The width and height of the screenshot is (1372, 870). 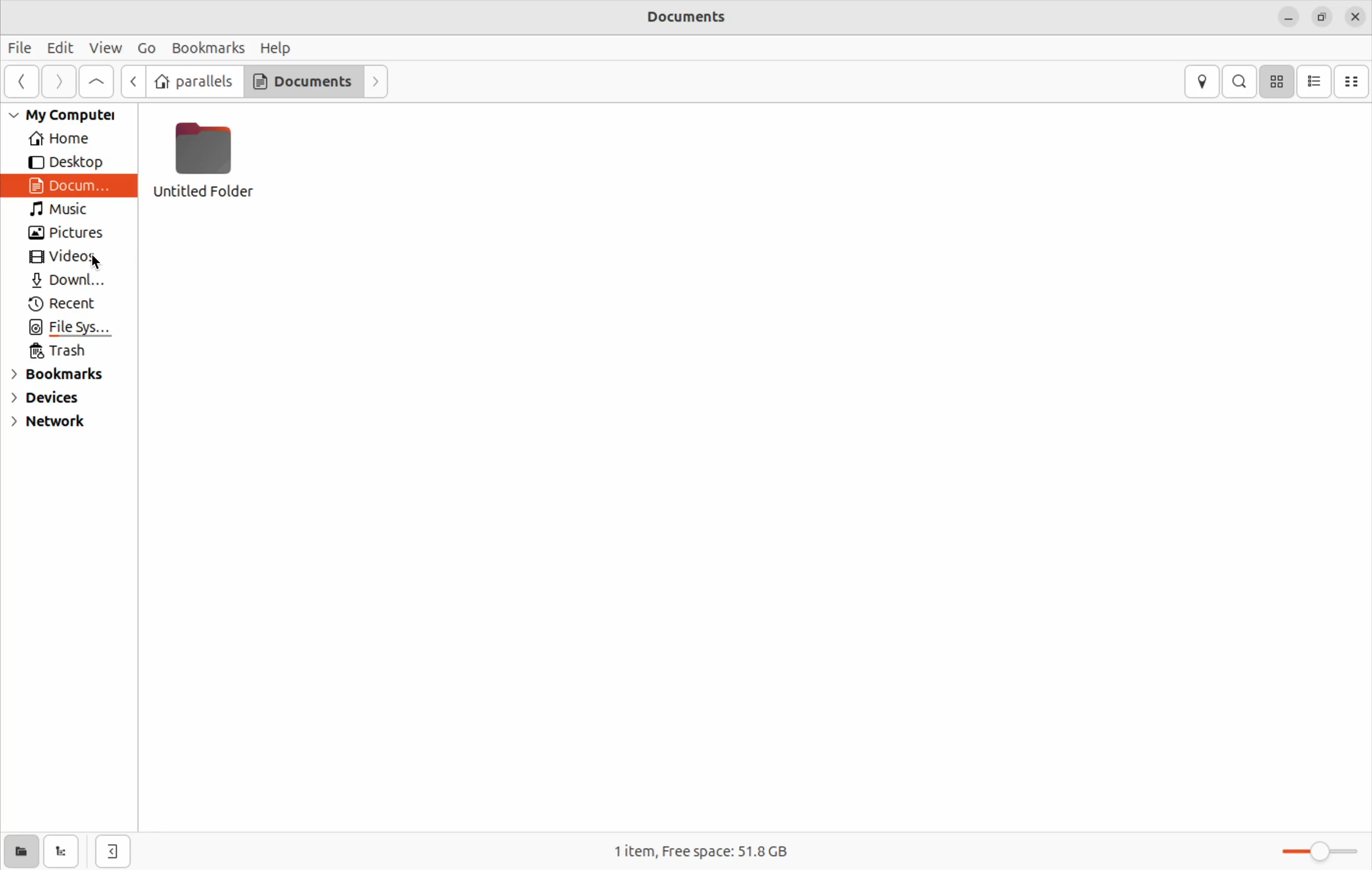 What do you see at coordinates (276, 47) in the screenshot?
I see `Help` at bounding box center [276, 47].